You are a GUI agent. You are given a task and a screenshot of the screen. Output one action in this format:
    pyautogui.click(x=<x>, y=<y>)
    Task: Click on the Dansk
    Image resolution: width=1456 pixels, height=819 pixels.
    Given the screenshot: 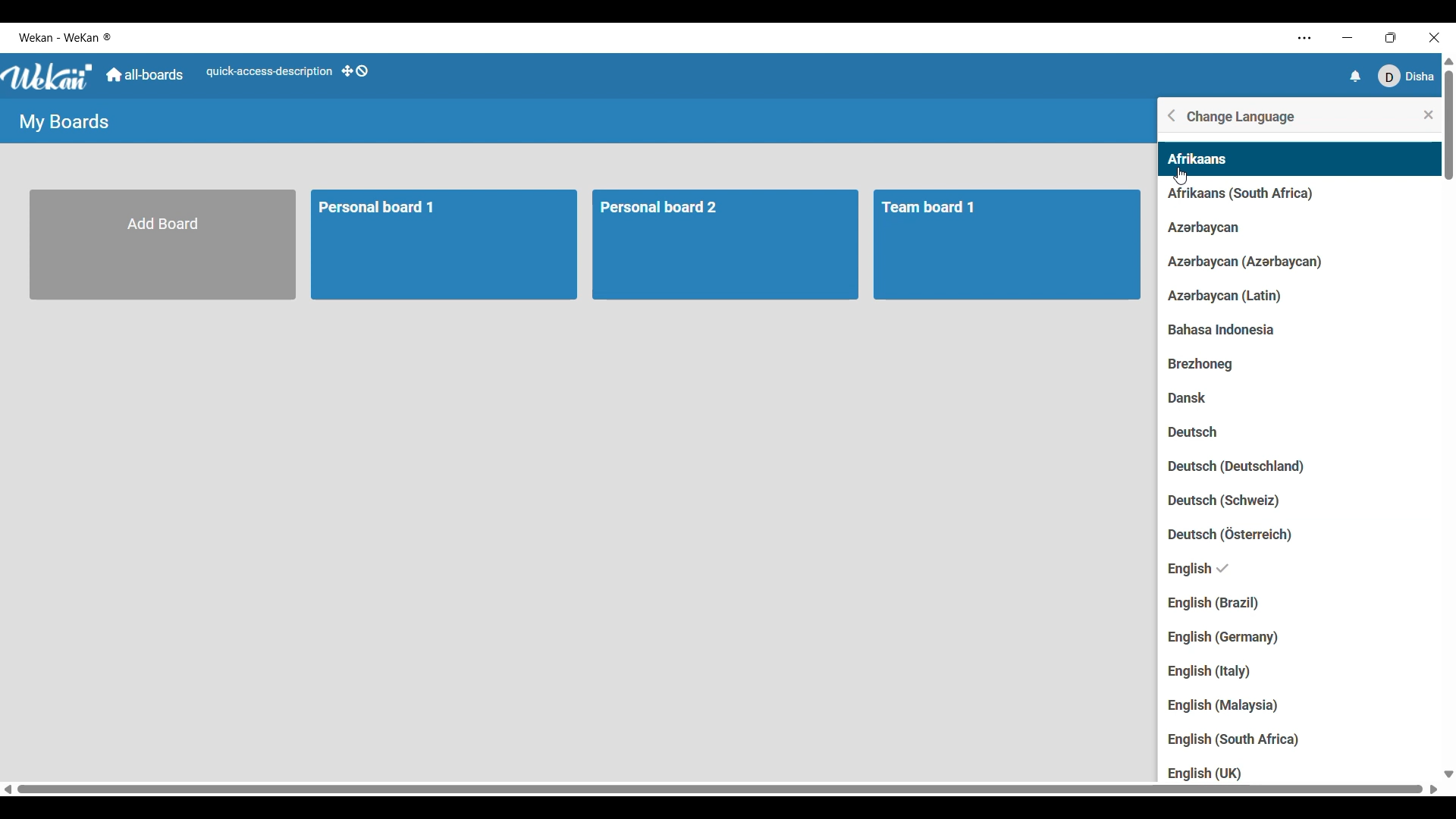 What is the action you would take?
    pyautogui.click(x=1193, y=398)
    